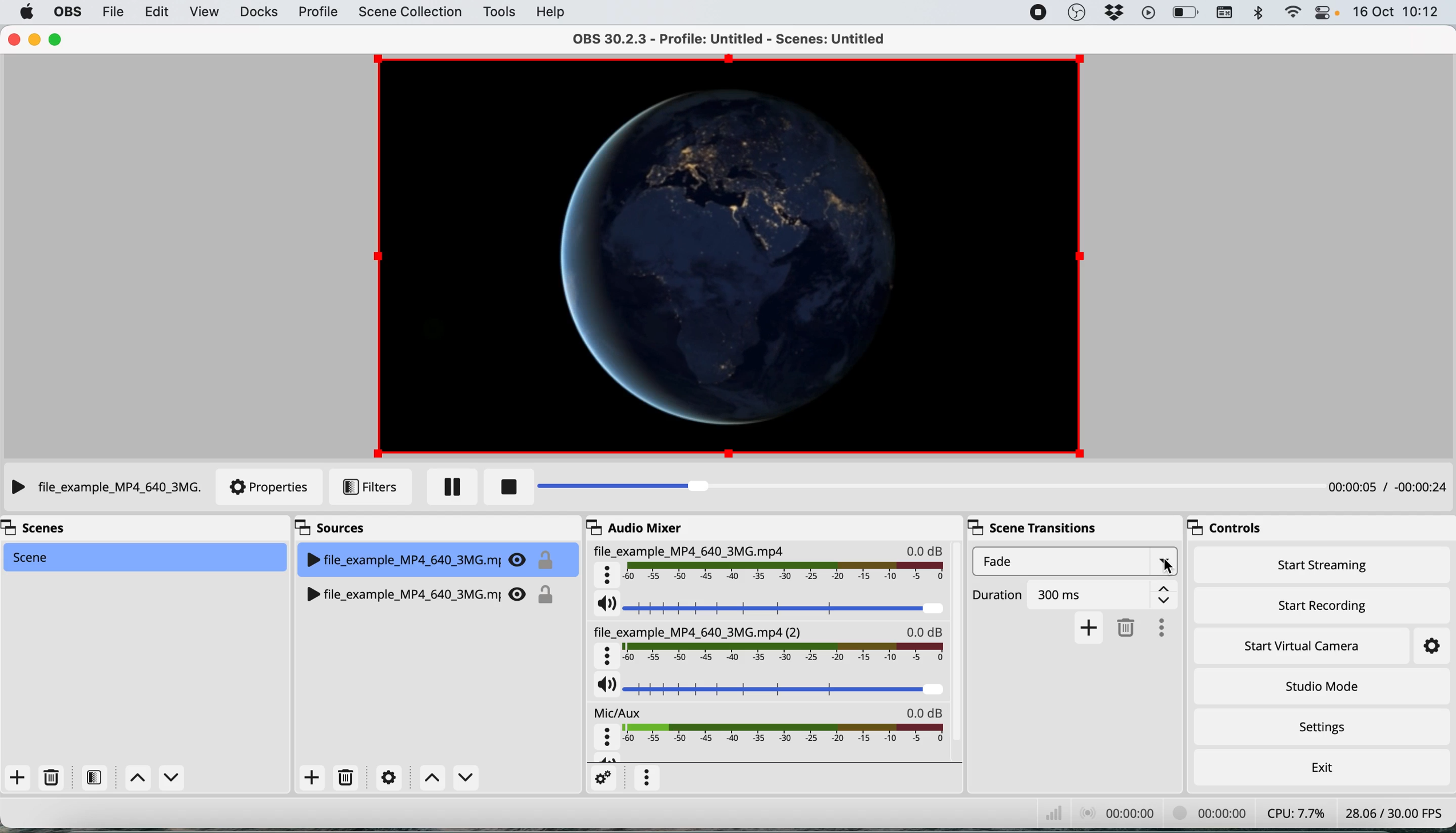 The image size is (1456, 833). Describe the element at coordinates (1115, 11) in the screenshot. I see `dropbox` at that location.